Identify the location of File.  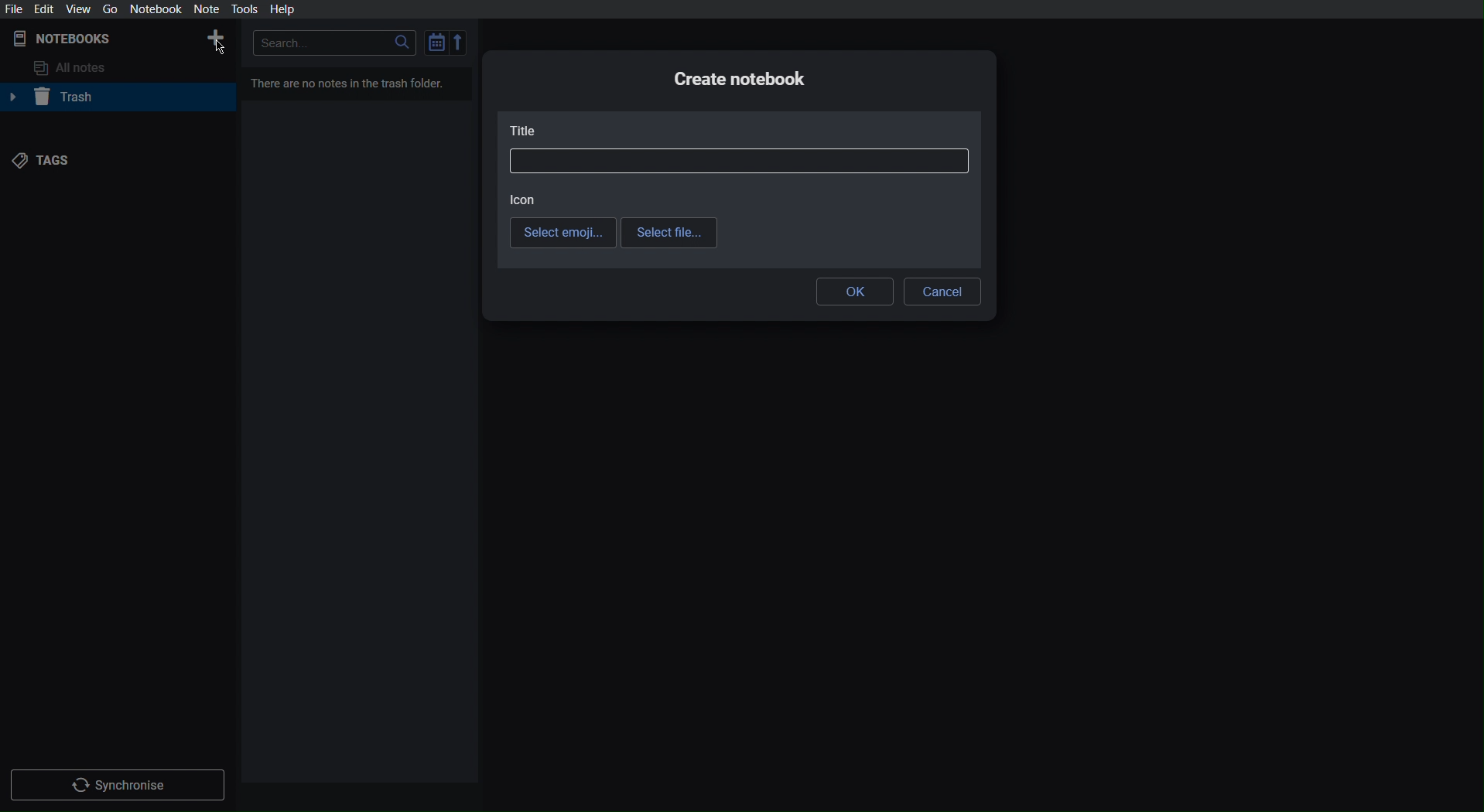
(15, 9).